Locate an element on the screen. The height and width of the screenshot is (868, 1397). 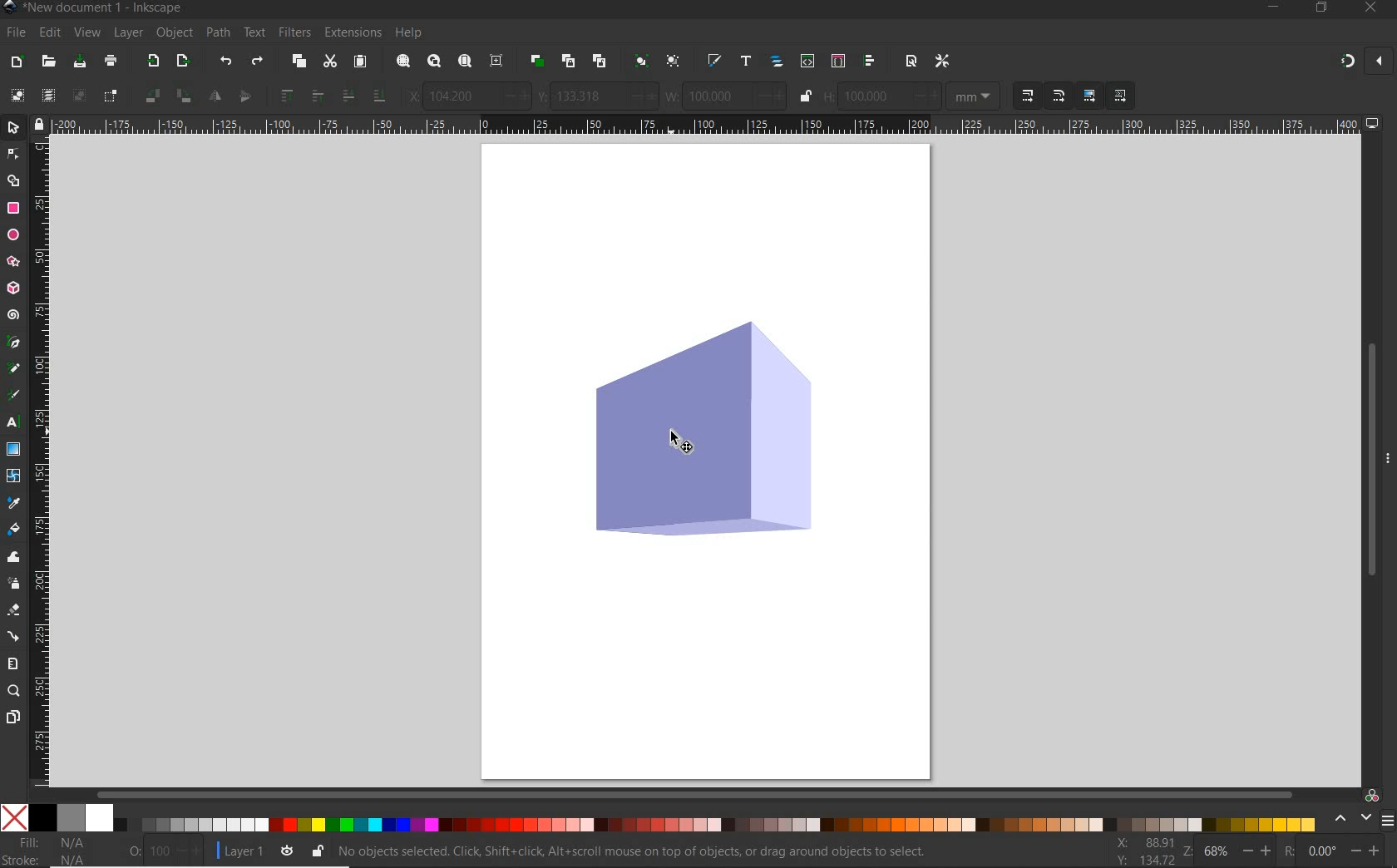
OPEN ALIGN AND DISTRIBUTE is located at coordinates (870, 62).